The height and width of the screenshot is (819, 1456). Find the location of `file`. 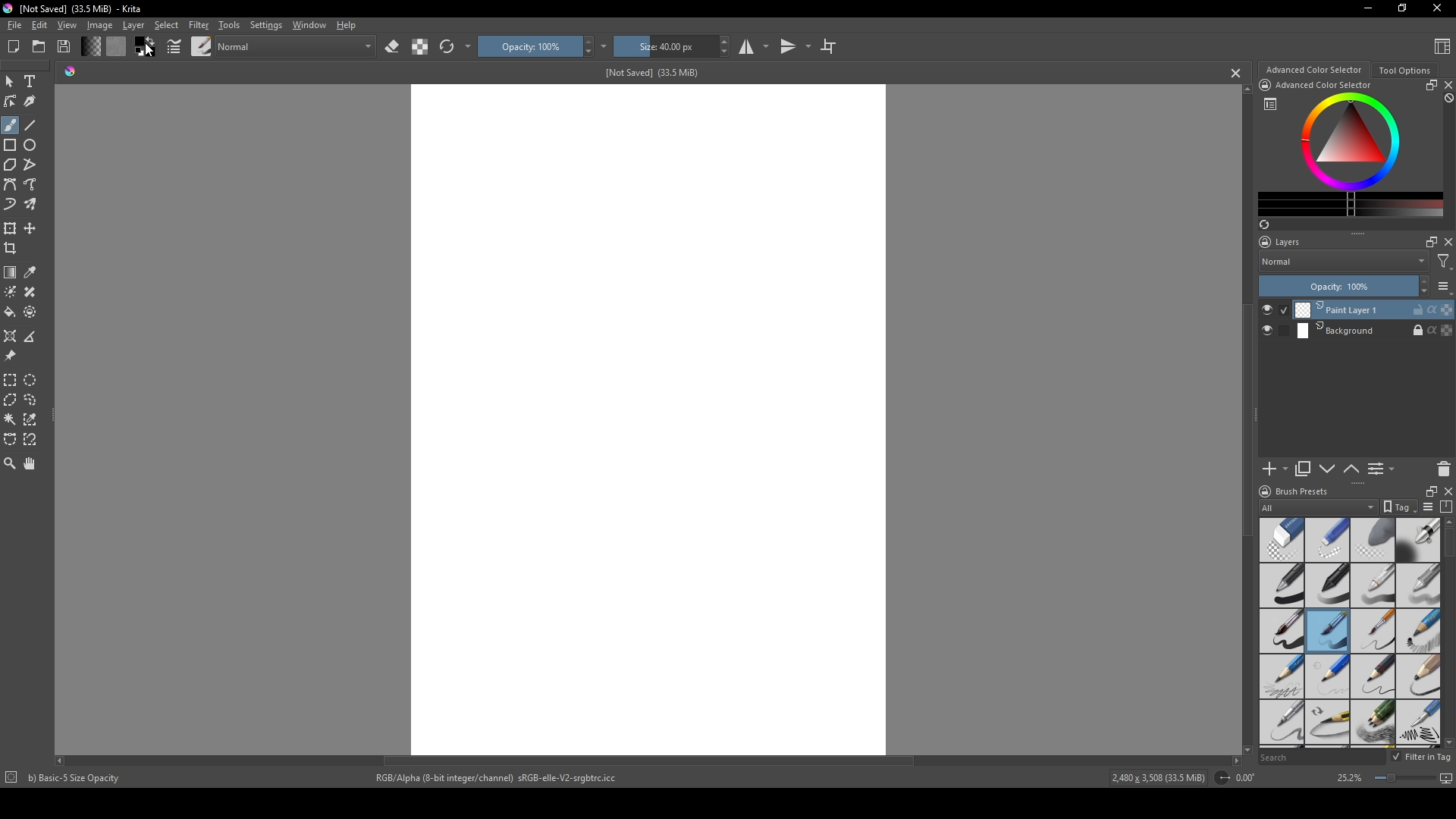

file is located at coordinates (14, 26).